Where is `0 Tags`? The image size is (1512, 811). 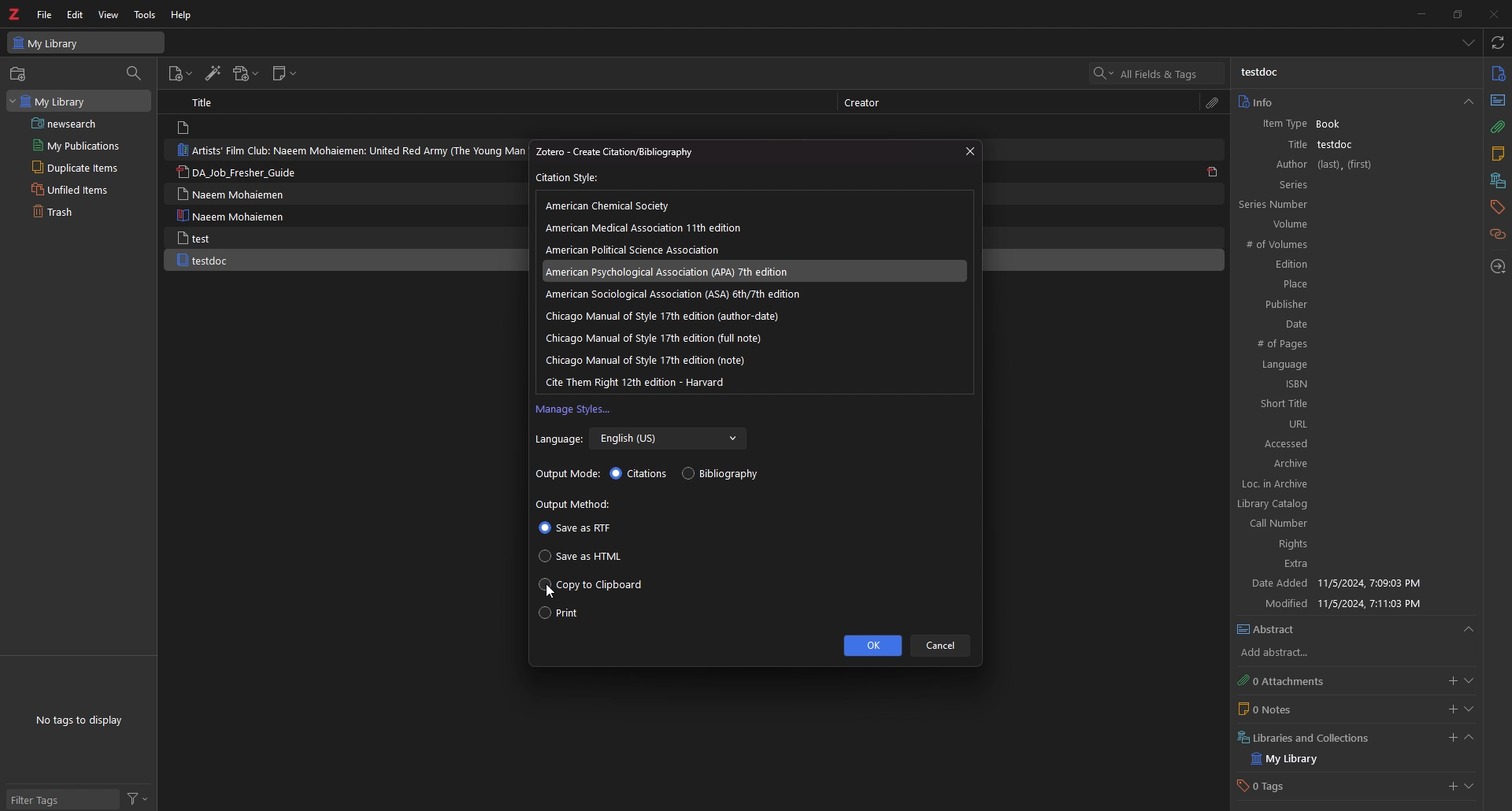 0 Tags is located at coordinates (1278, 787).